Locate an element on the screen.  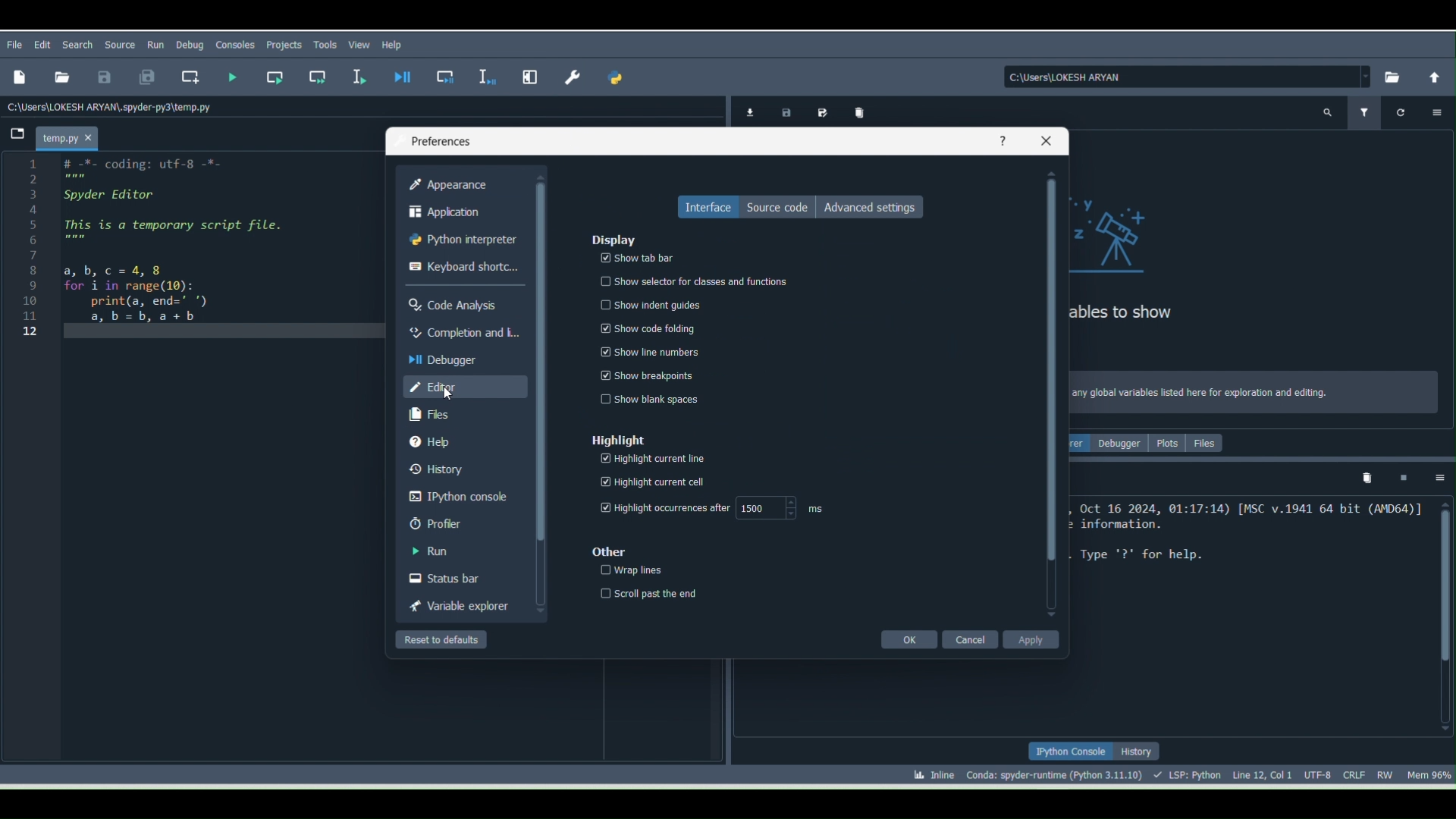
IPython console is located at coordinates (1069, 752).